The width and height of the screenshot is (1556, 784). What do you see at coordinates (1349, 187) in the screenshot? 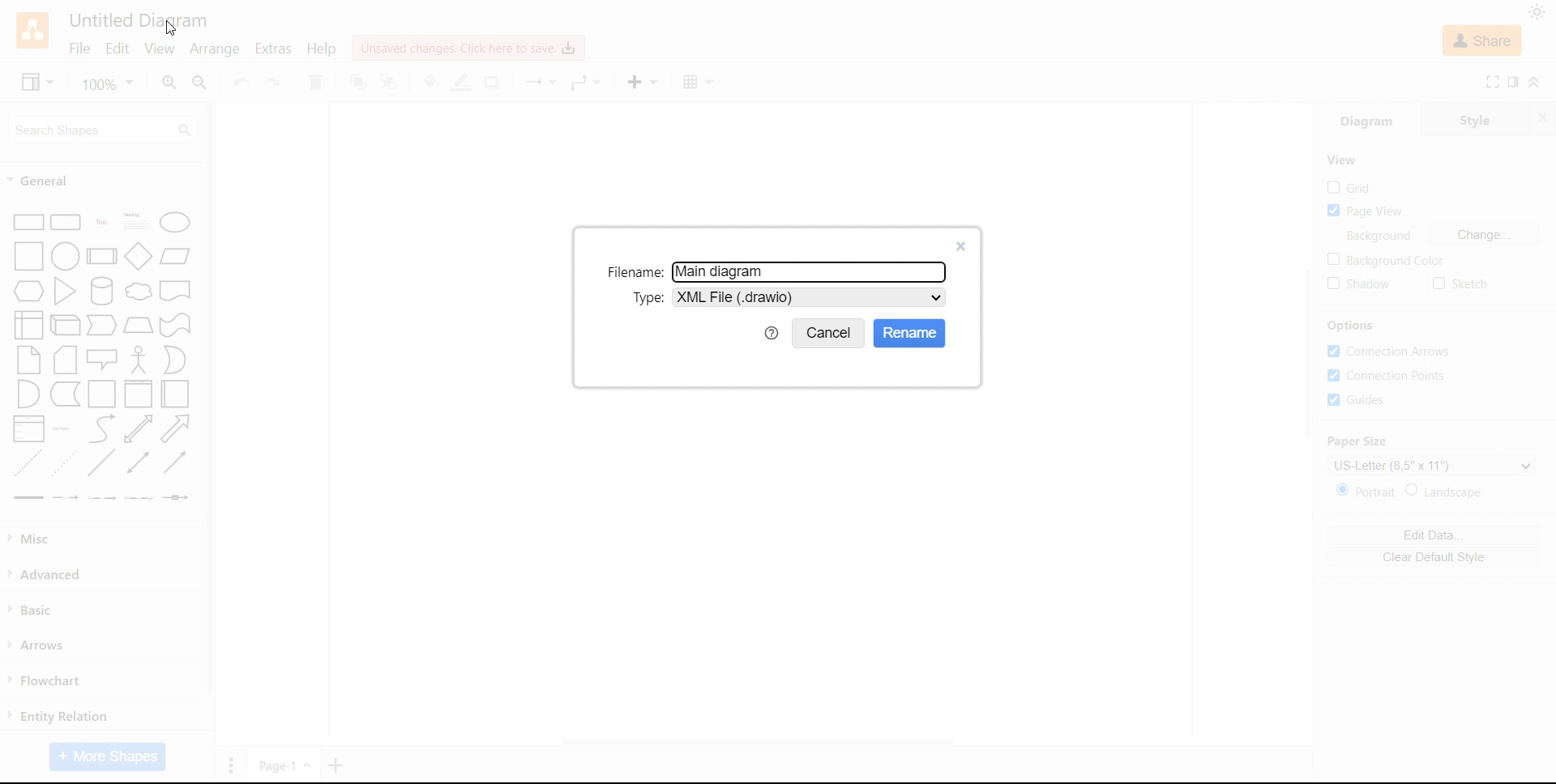
I see `grid` at bounding box center [1349, 187].